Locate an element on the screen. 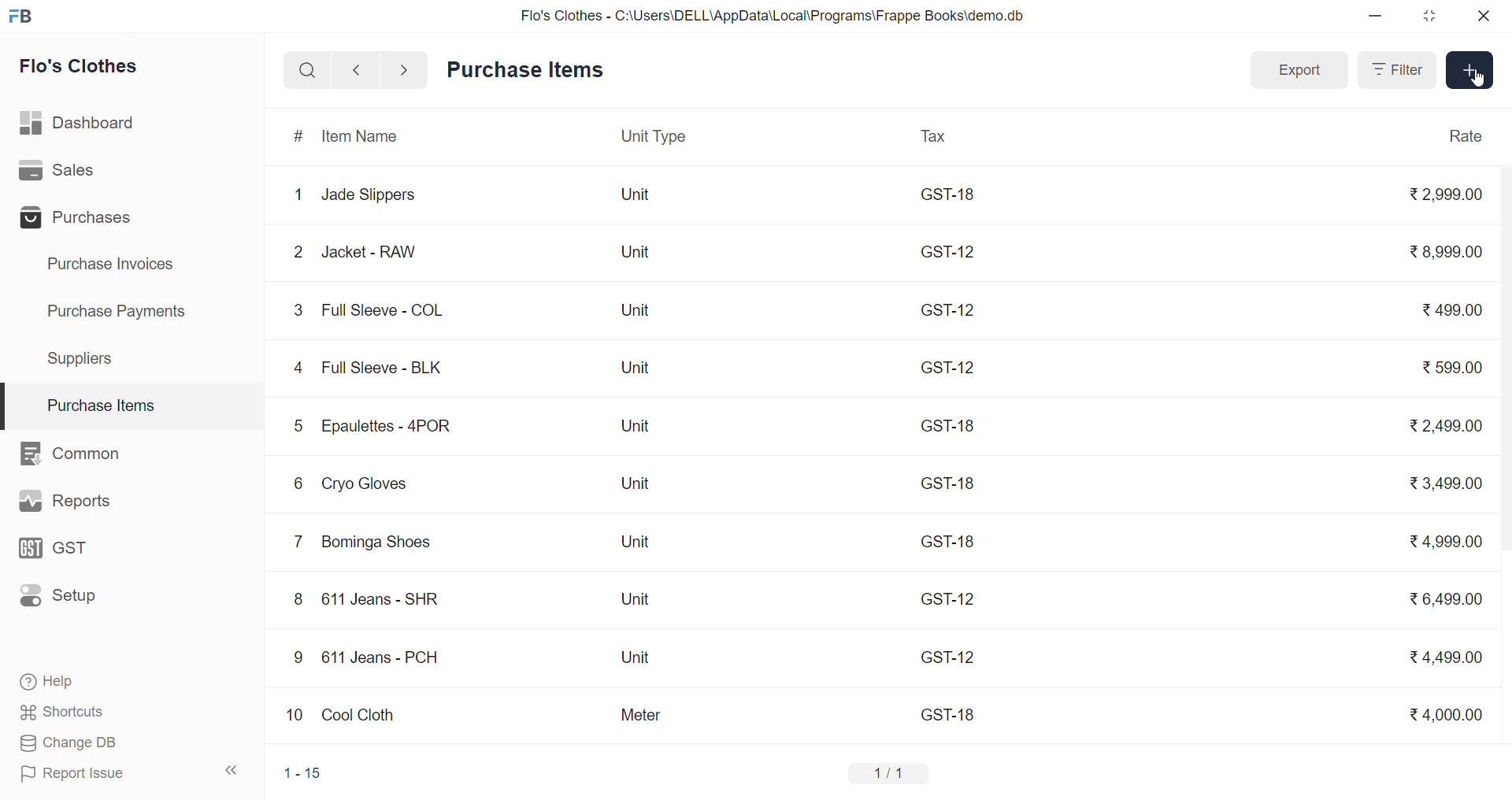 The width and height of the screenshot is (1512, 800). GST-12 is located at coordinates (951, 657).